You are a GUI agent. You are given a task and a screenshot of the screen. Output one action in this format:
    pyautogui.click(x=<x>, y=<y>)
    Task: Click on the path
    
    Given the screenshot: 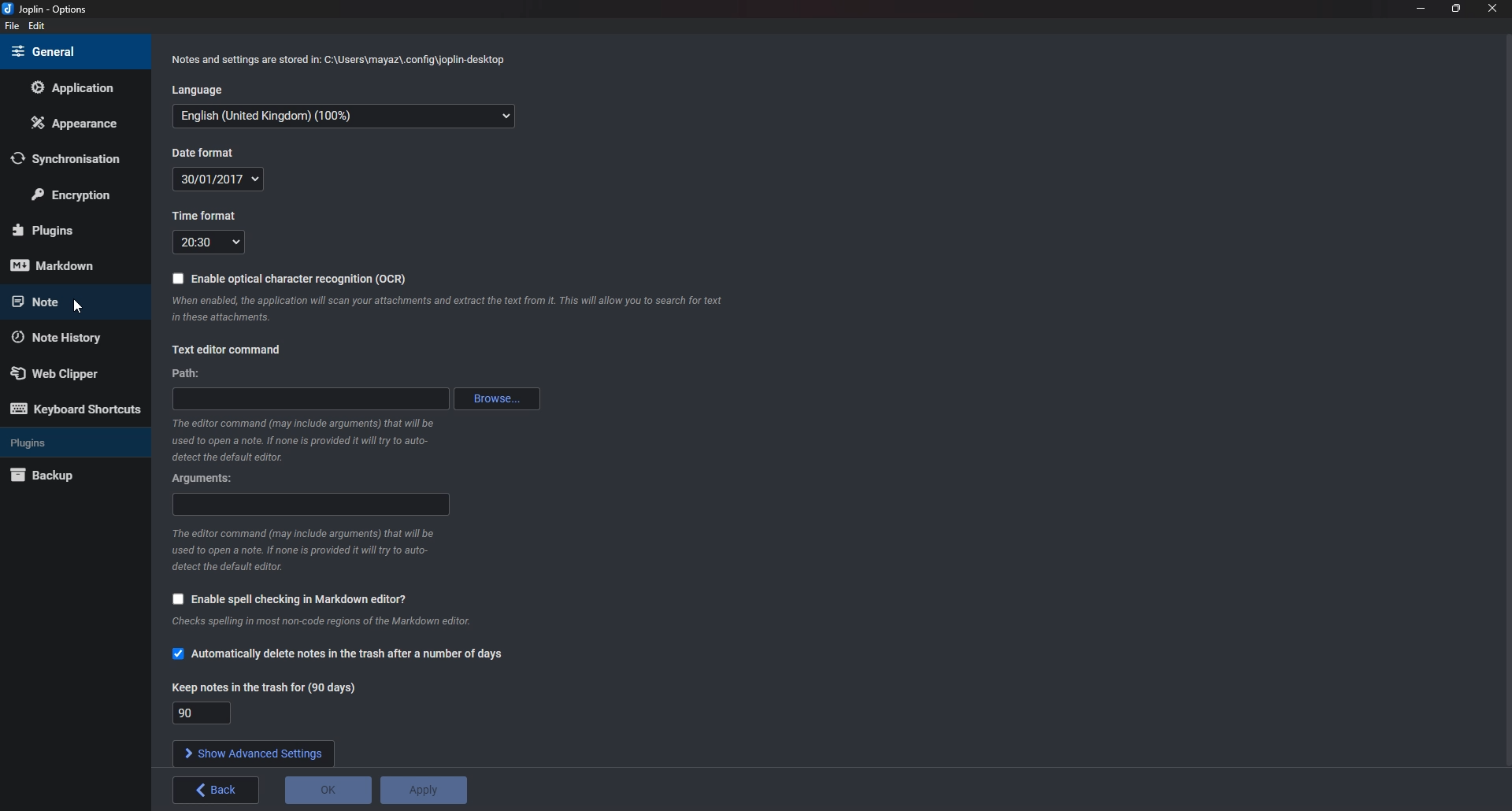 What is the action you would take?
    pyautogui.click(x=312, y=400)
    